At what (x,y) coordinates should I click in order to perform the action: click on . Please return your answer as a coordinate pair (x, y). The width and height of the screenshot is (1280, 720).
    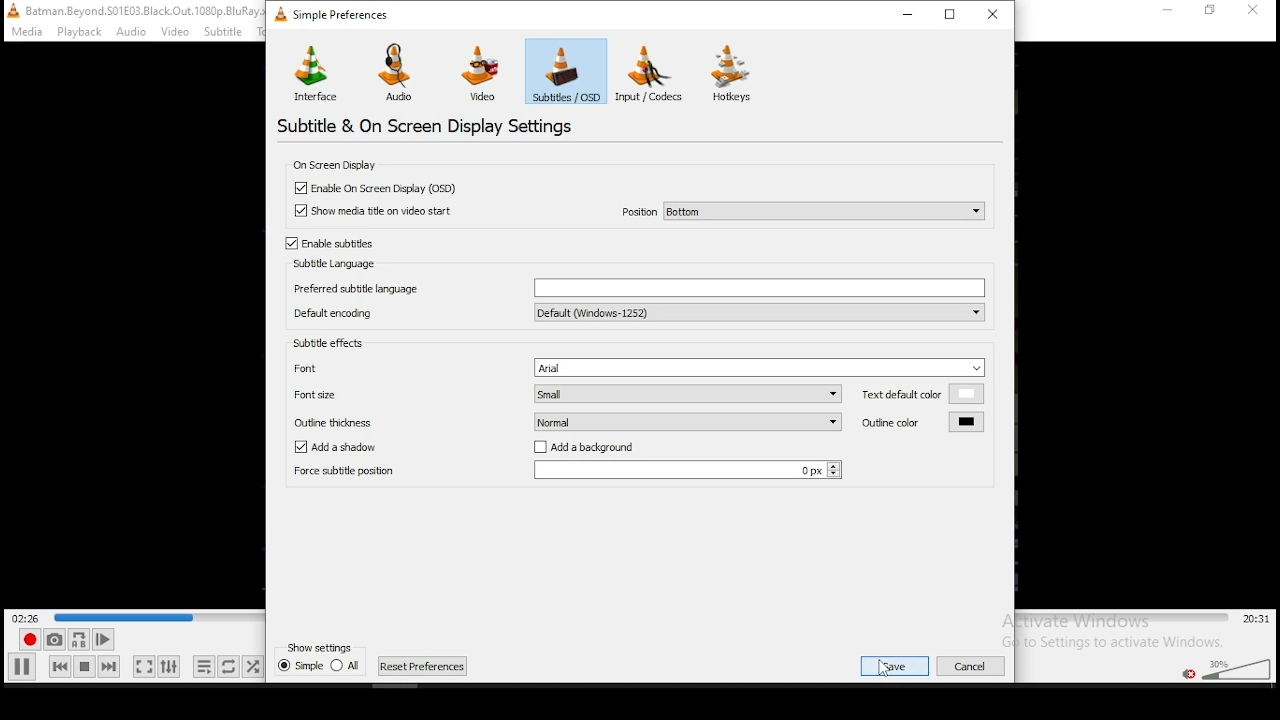
    Looking at the image, I should click on (1257, 11).